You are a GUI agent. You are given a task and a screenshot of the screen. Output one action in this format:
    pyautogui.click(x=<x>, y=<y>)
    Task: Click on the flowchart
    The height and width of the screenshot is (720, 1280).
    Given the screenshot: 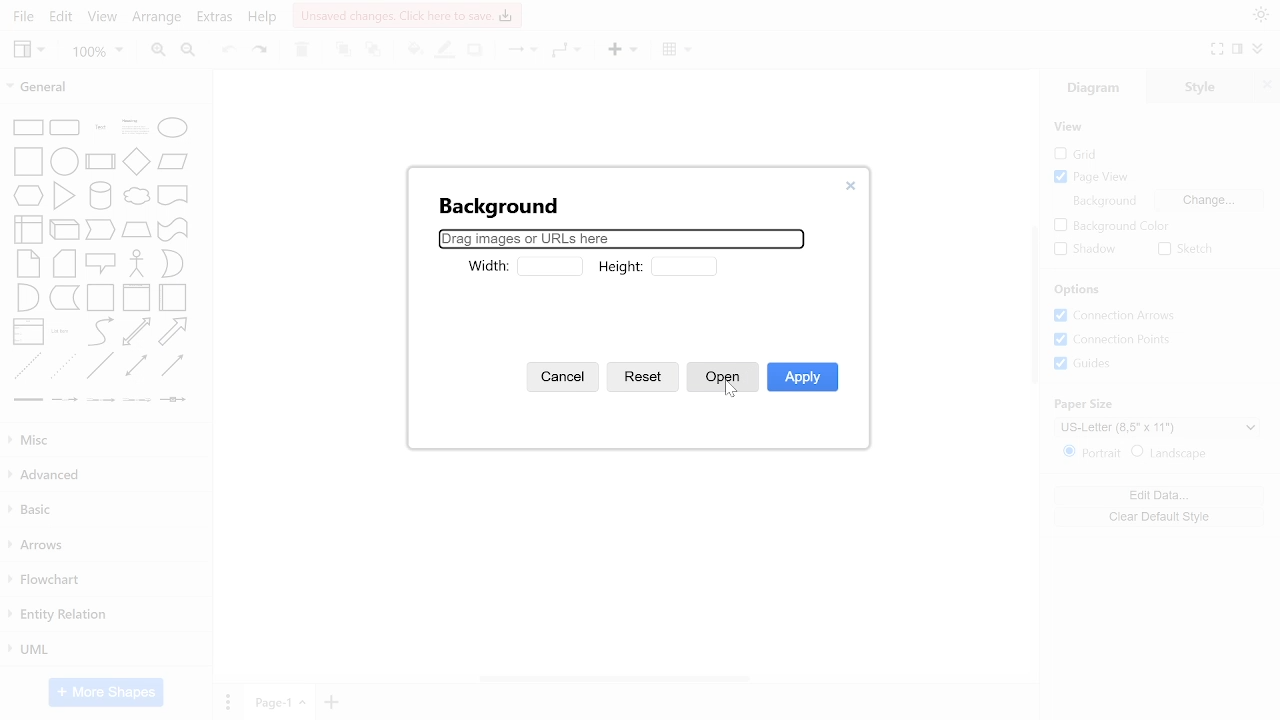 What is the action you would take?
    pyautogui.click(x=102, y=582)
    